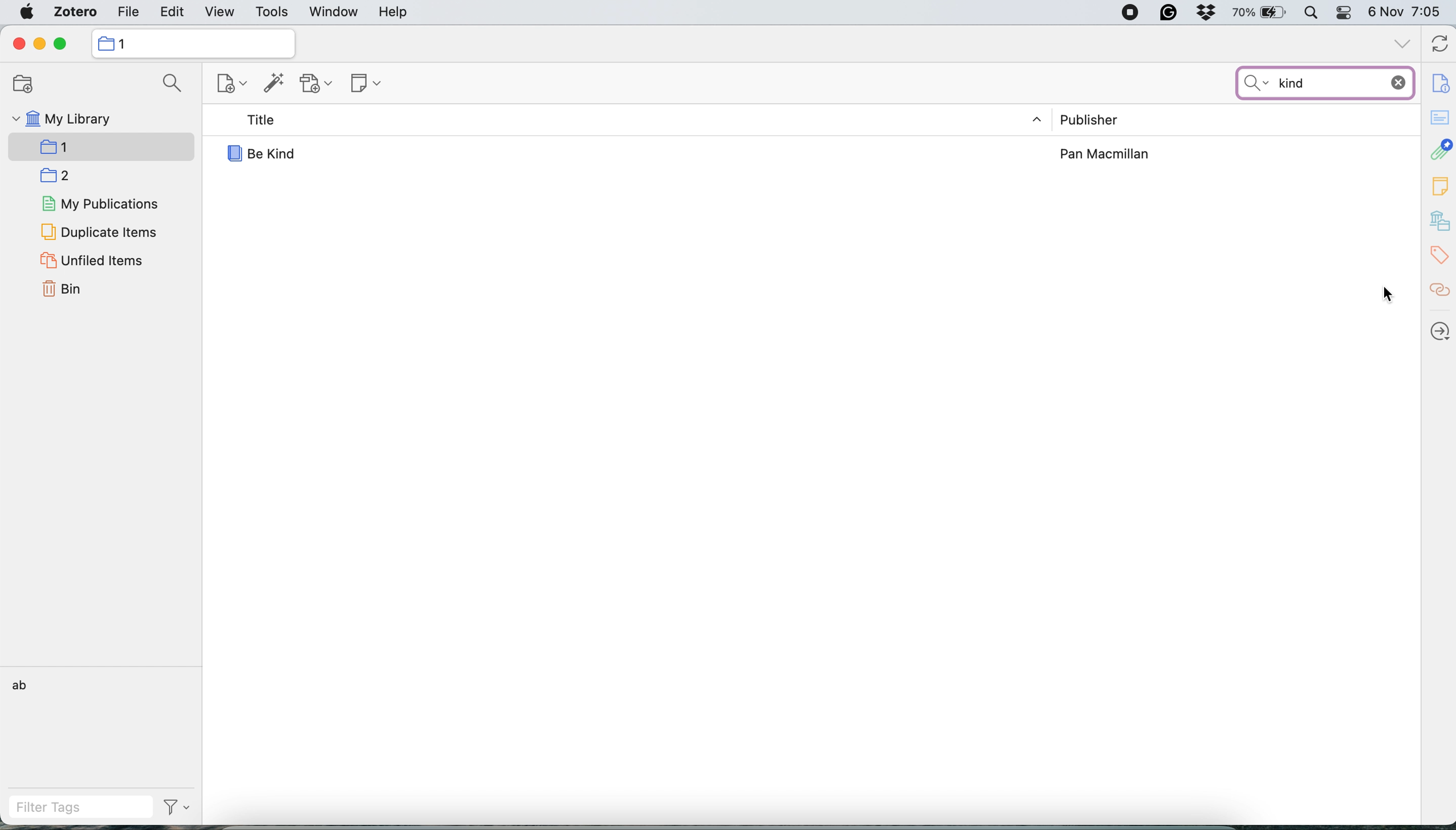 This screenshot has height=830, width=1456. I want to click on system logo, so click(24, 13).